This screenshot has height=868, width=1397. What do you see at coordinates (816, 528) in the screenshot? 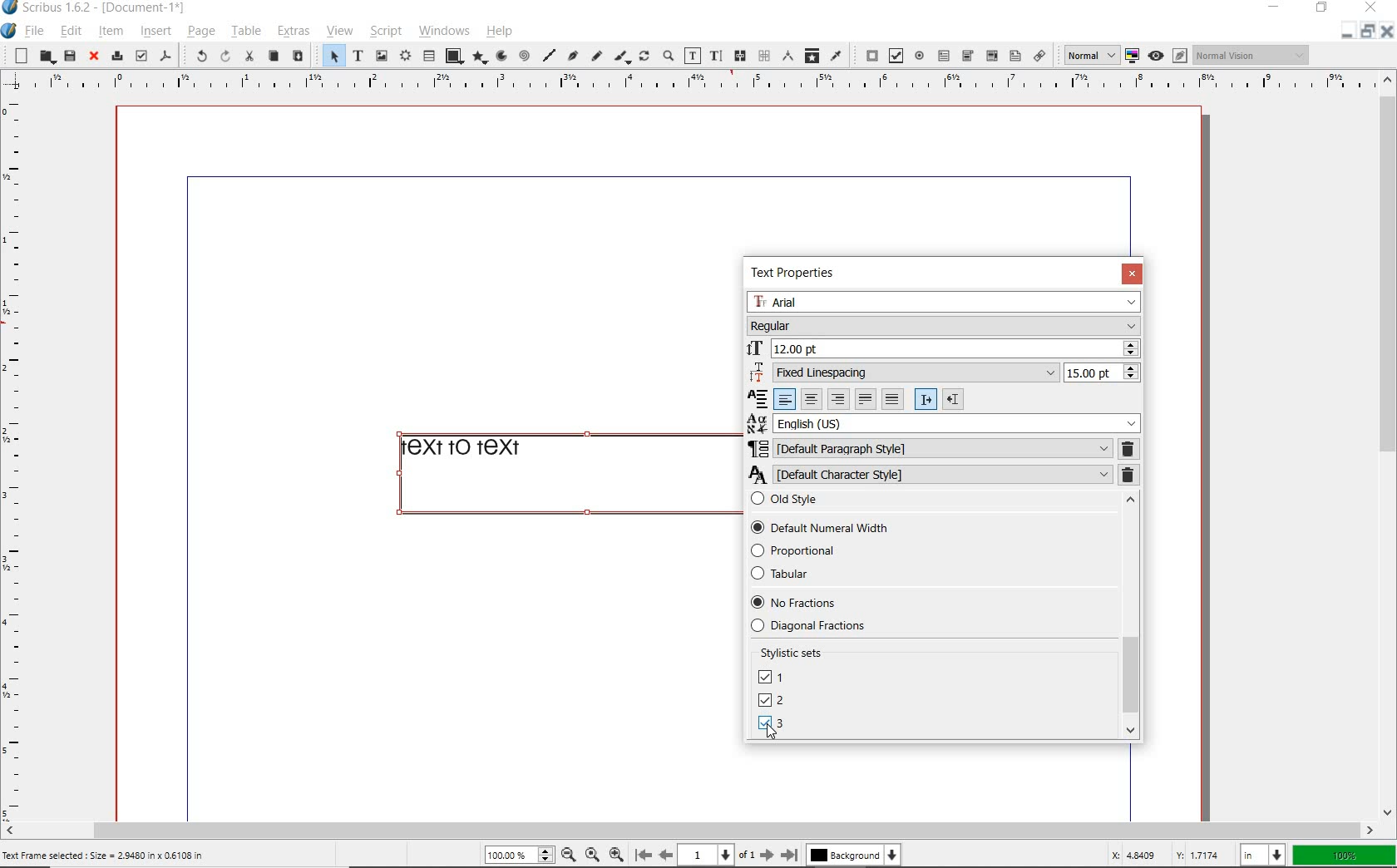
I see `Default Numerical Width` at bounding box center [816, 528].